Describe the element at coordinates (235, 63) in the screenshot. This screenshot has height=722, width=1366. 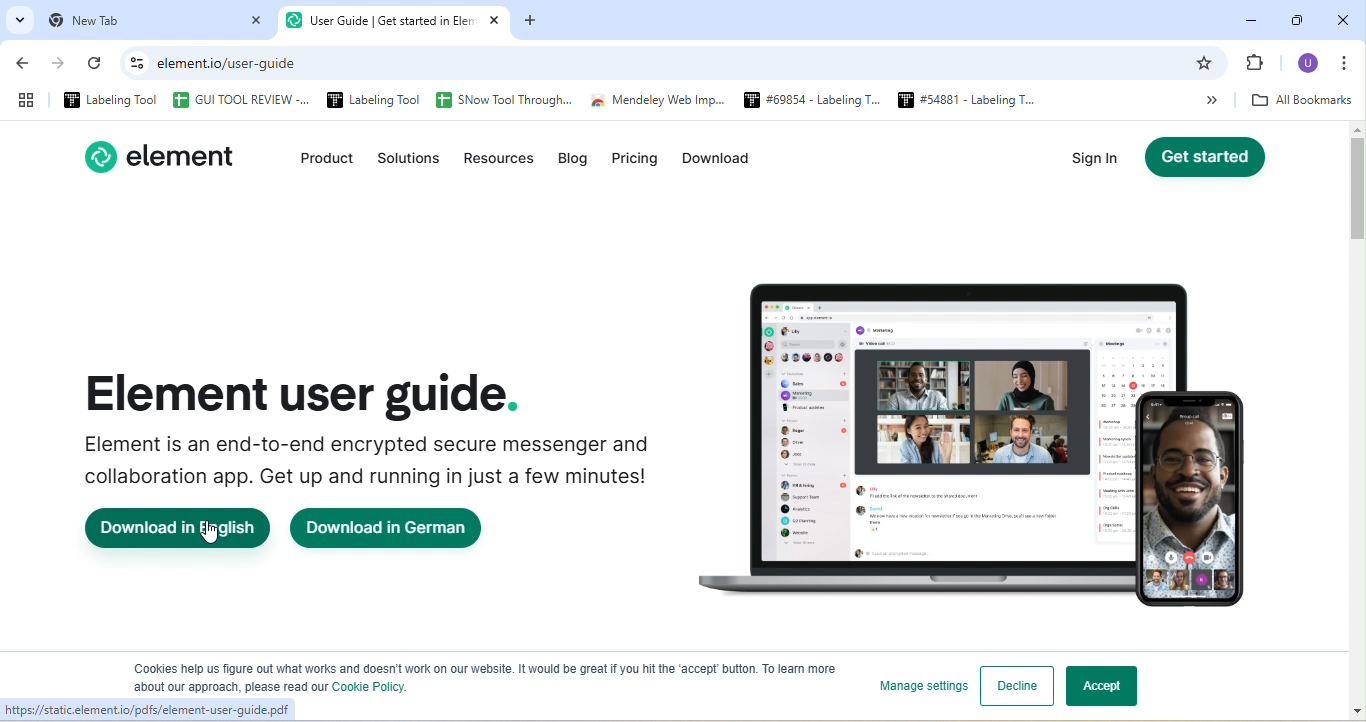
I see `element /user guide` at that location.